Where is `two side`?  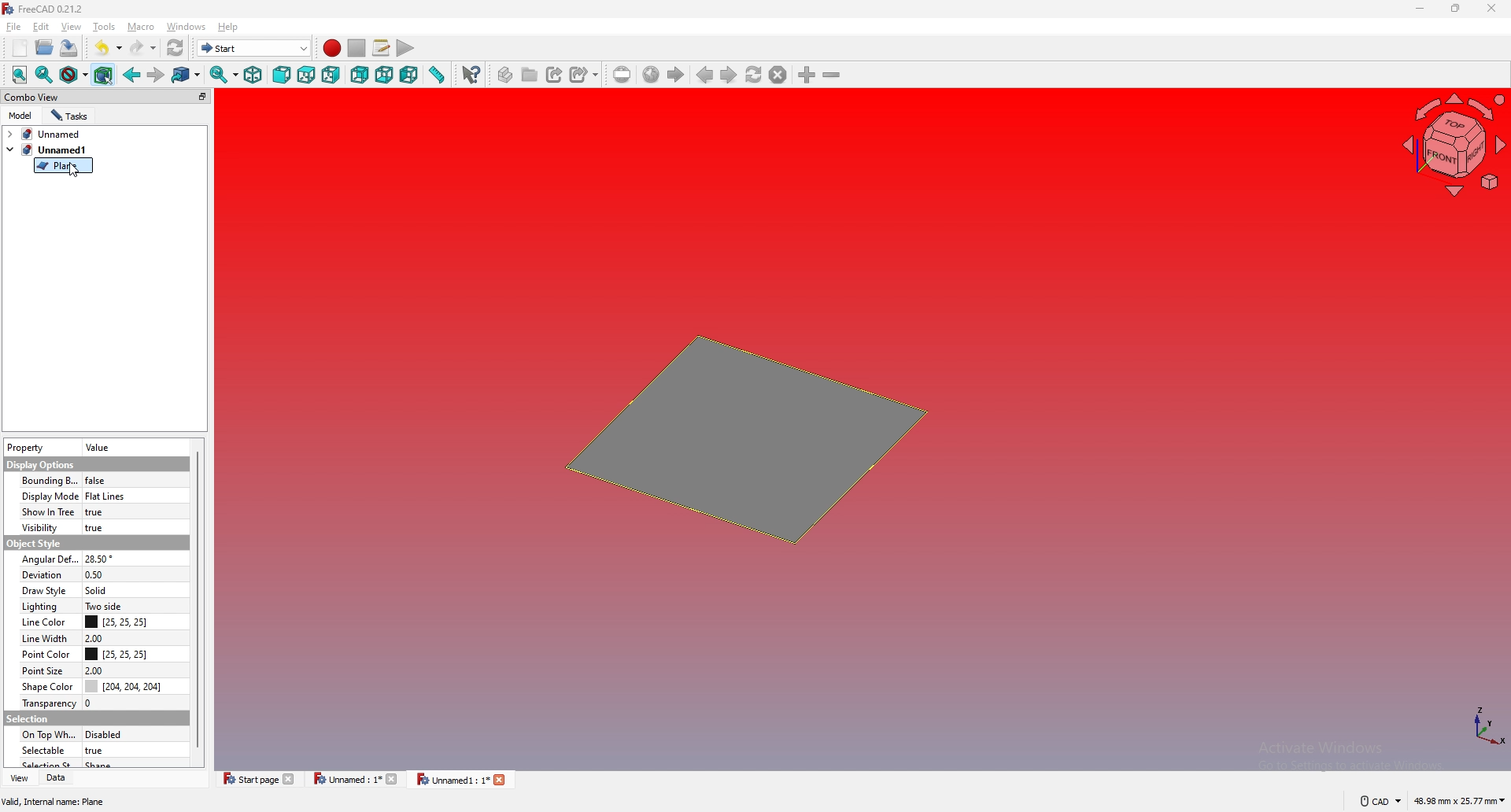
two side is located at coordinates (104, 606).